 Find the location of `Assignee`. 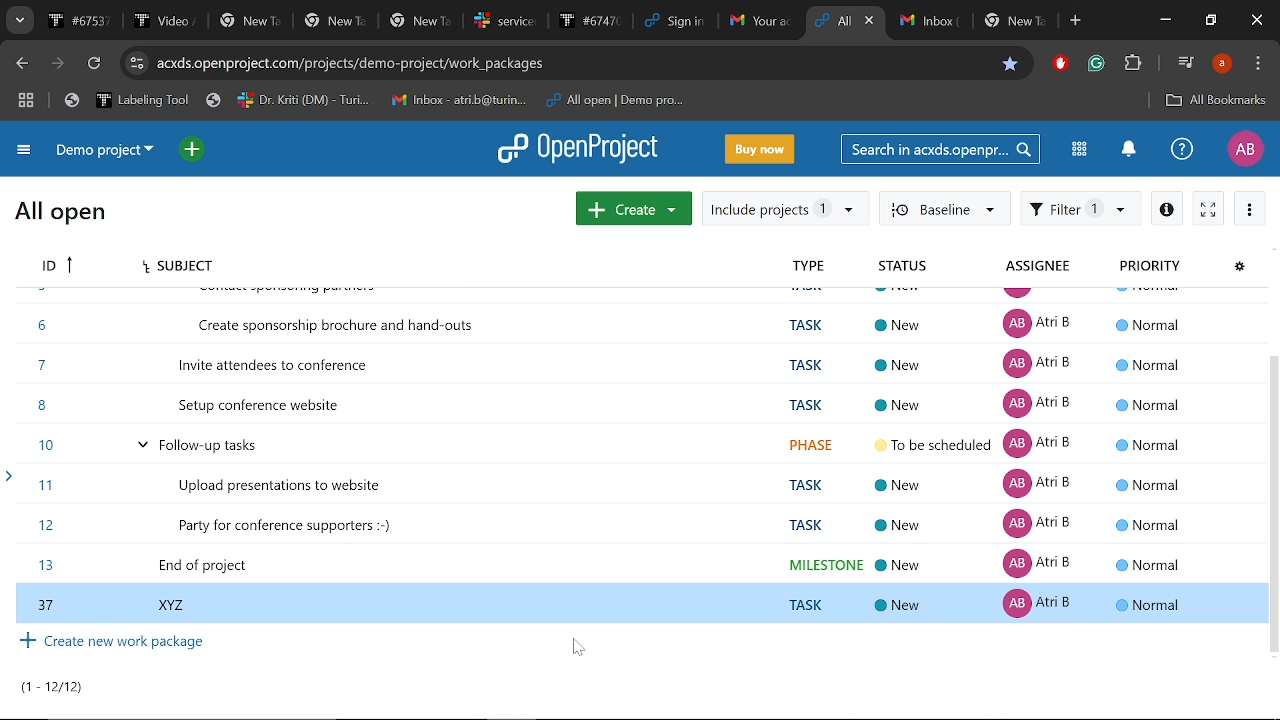

Assignee is located at coordinates (1046, 267).